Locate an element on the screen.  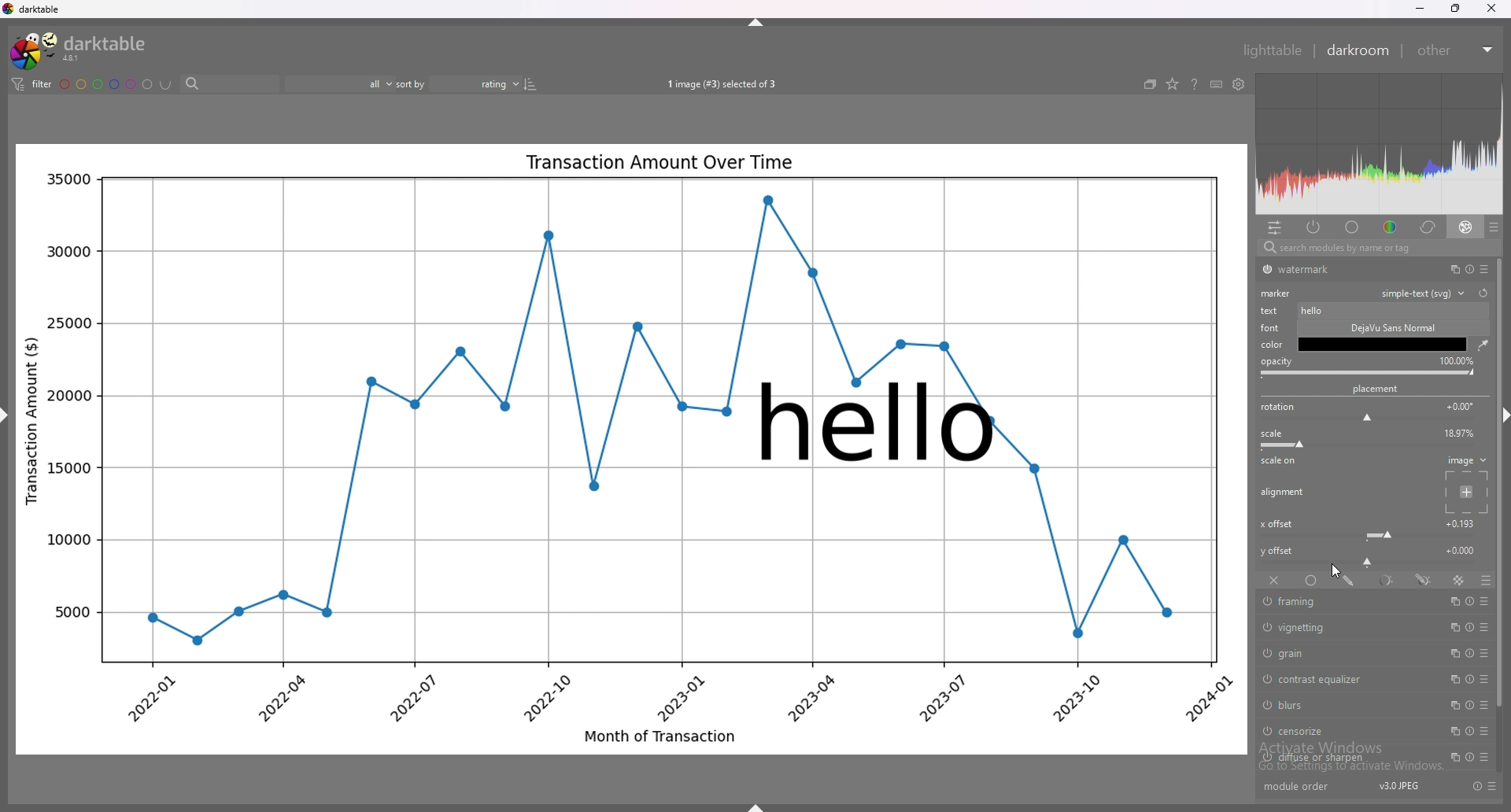
blending options is located at coordinates (1484, 580).